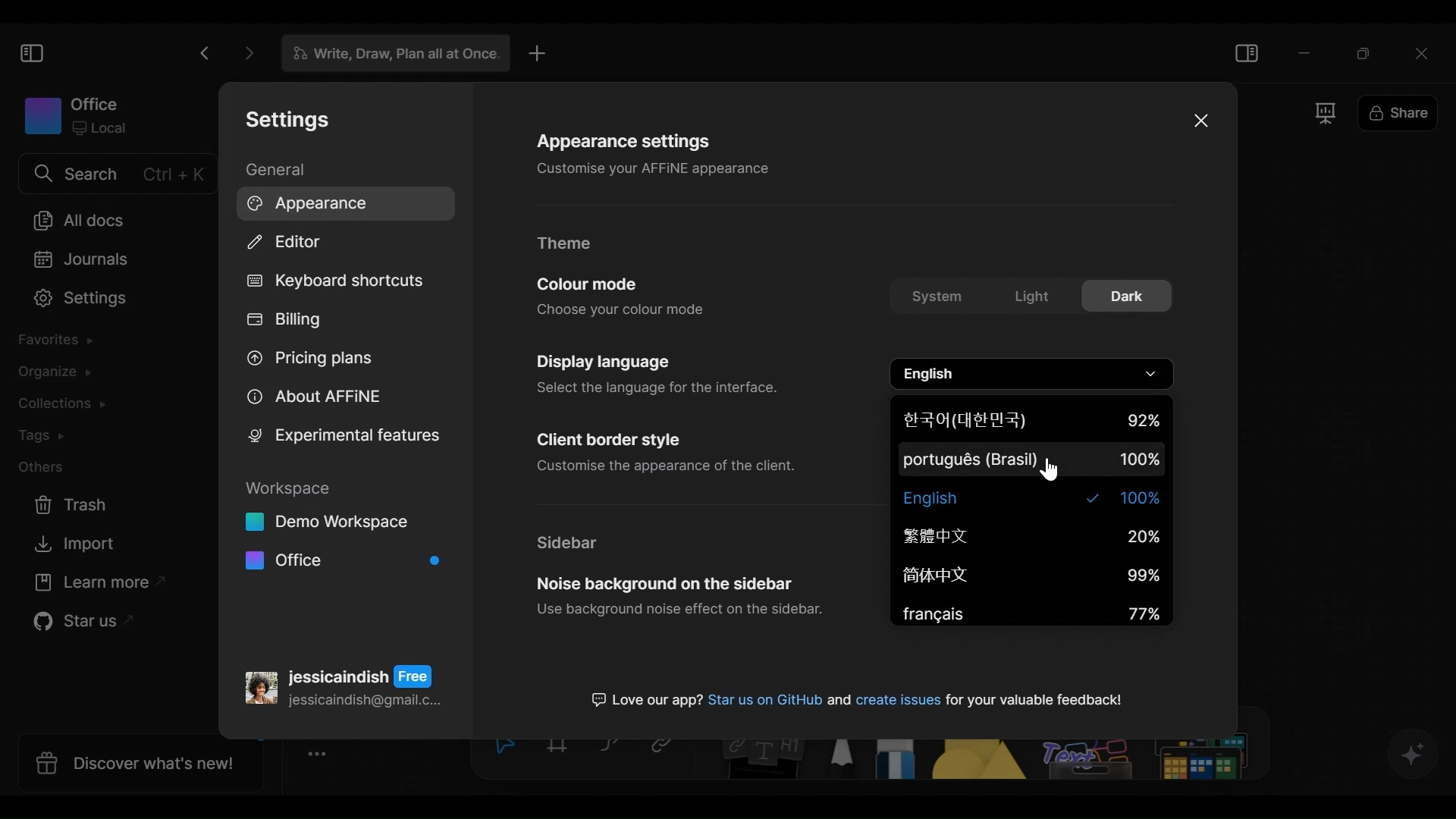  Describe the element at coordinates (1364, 51) in the screenshot. I see `Restore` at that location.